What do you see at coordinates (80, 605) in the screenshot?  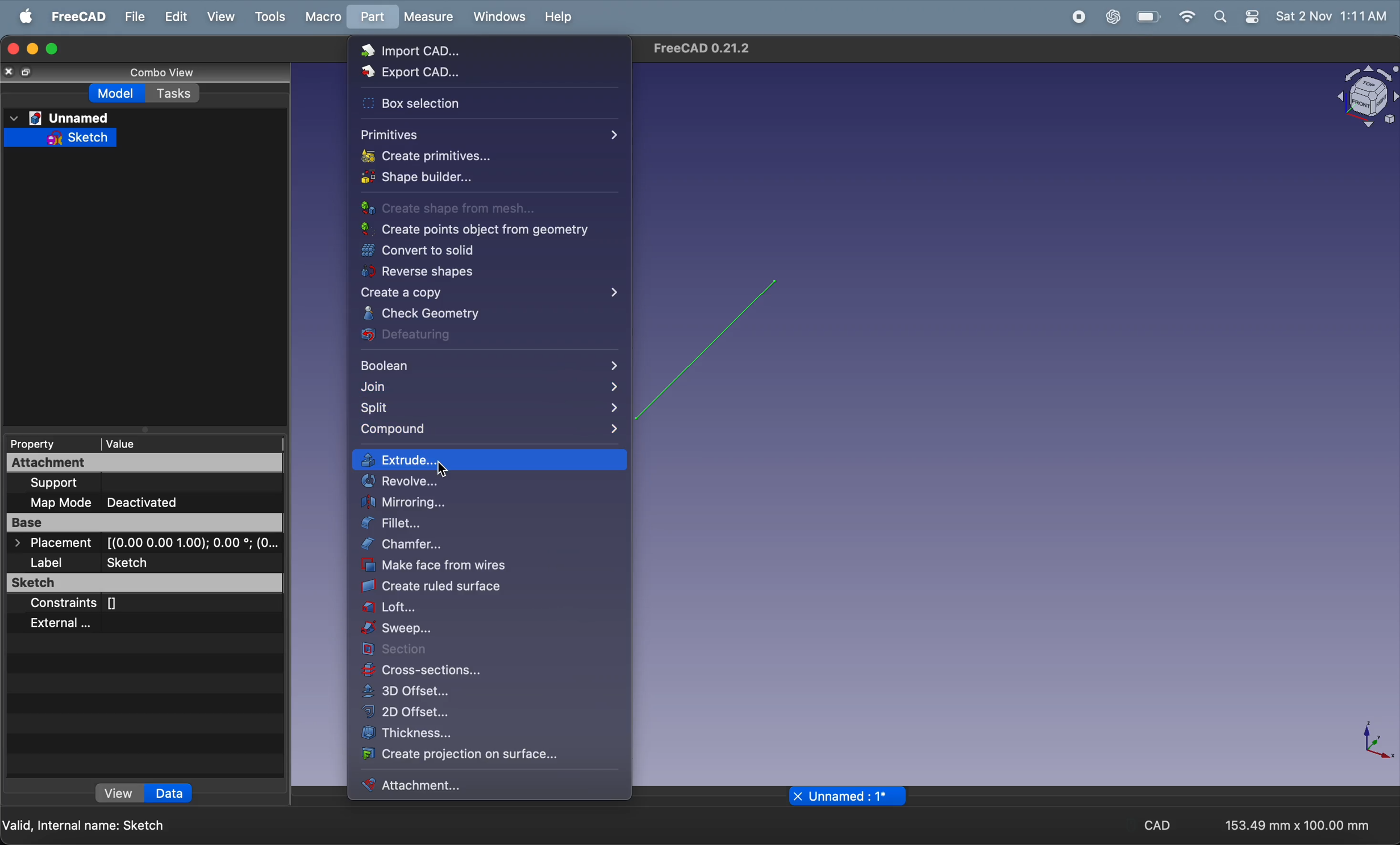 I see `constraints []` at bounding box center [80, 605].